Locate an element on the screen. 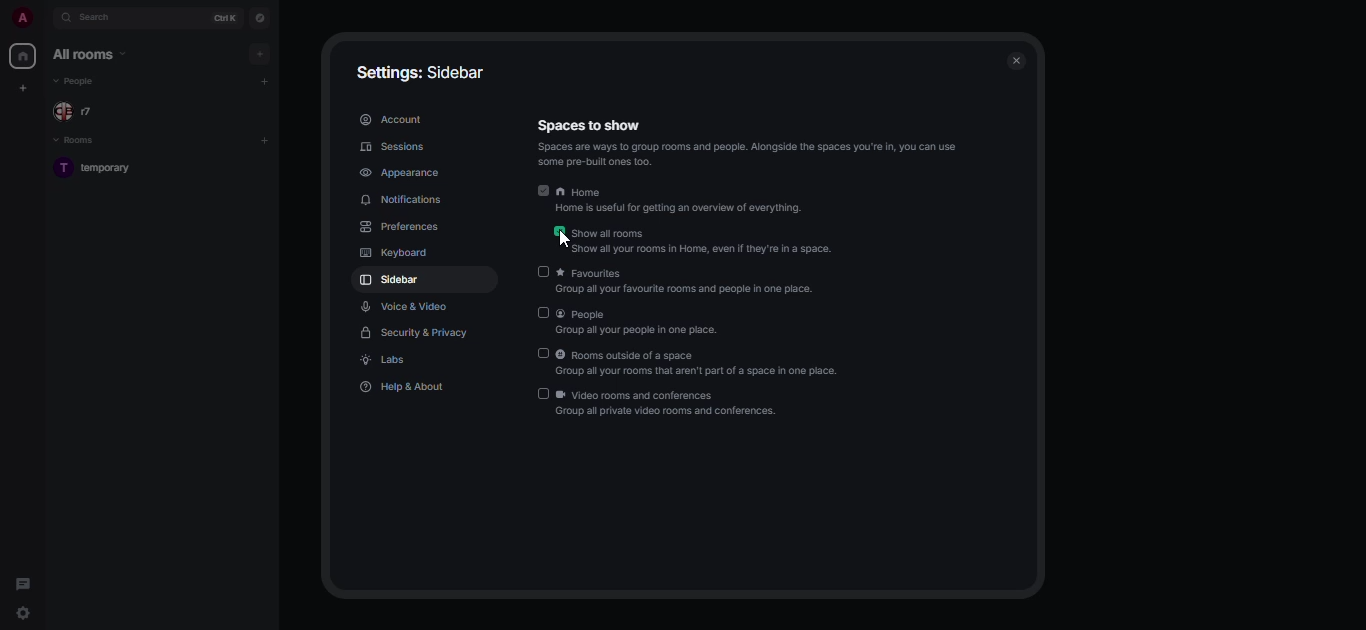 Image resolution: width=1366 pixels, height=630 pixels. search is located at coordinates (103, 19).